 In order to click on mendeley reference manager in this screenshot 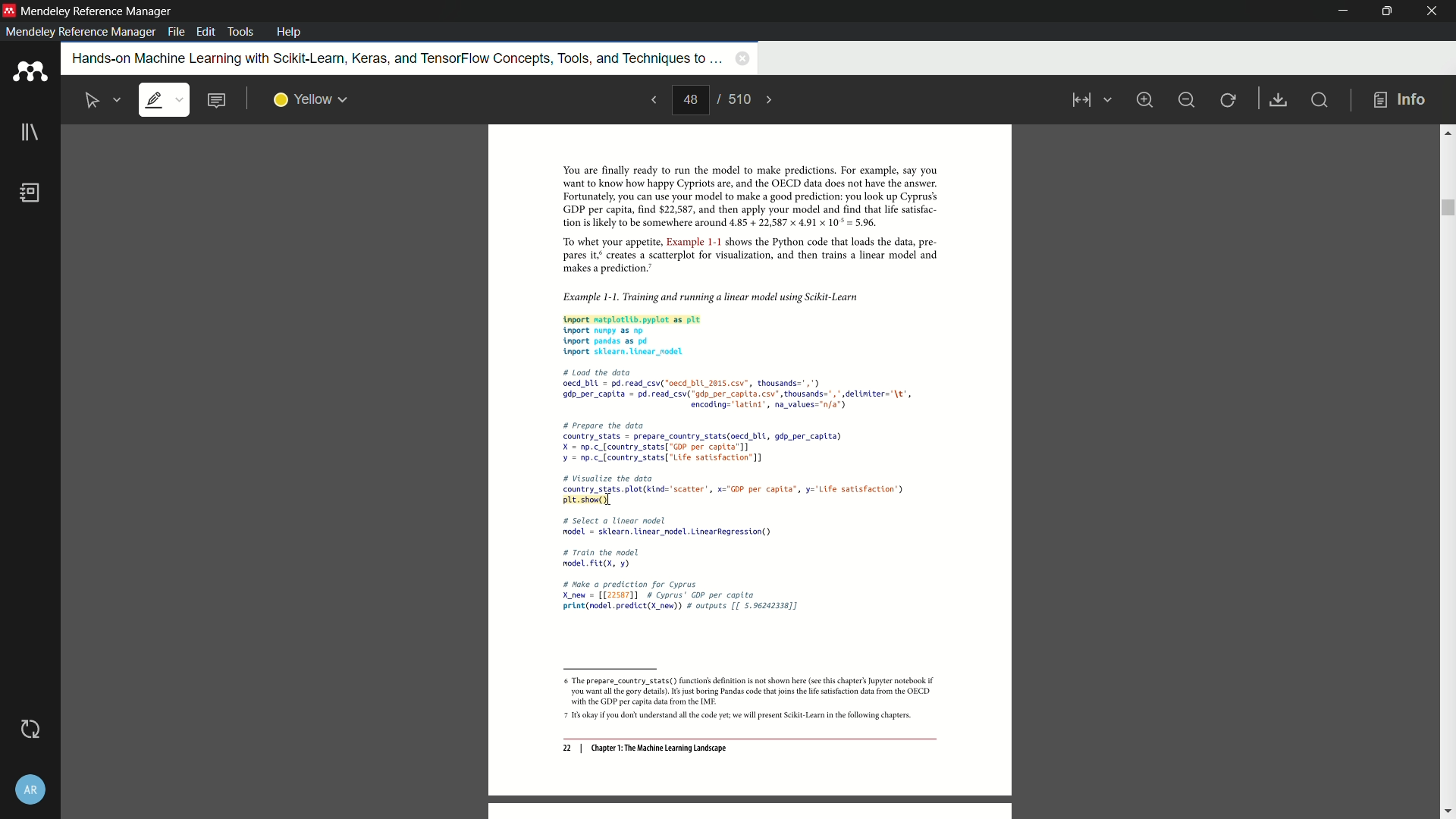, I will do `click(80, 32)`.